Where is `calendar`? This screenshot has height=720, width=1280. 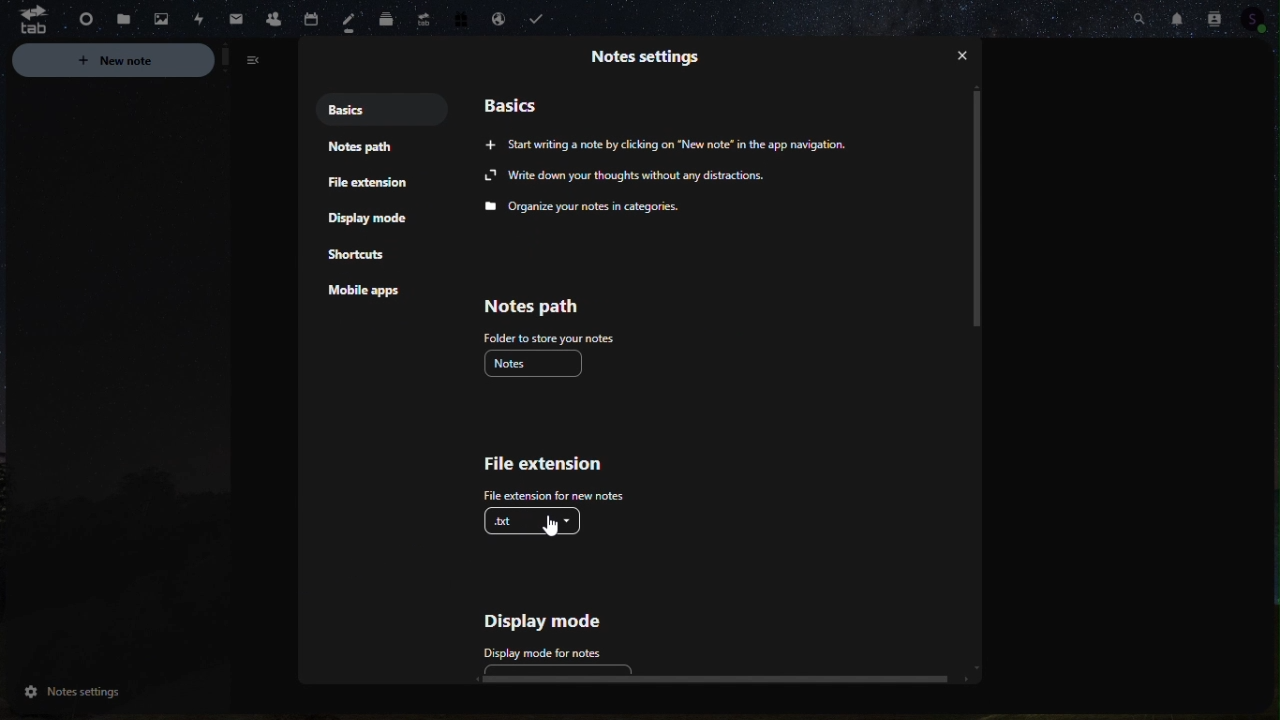 calendar is located at coordinates (310, 14).